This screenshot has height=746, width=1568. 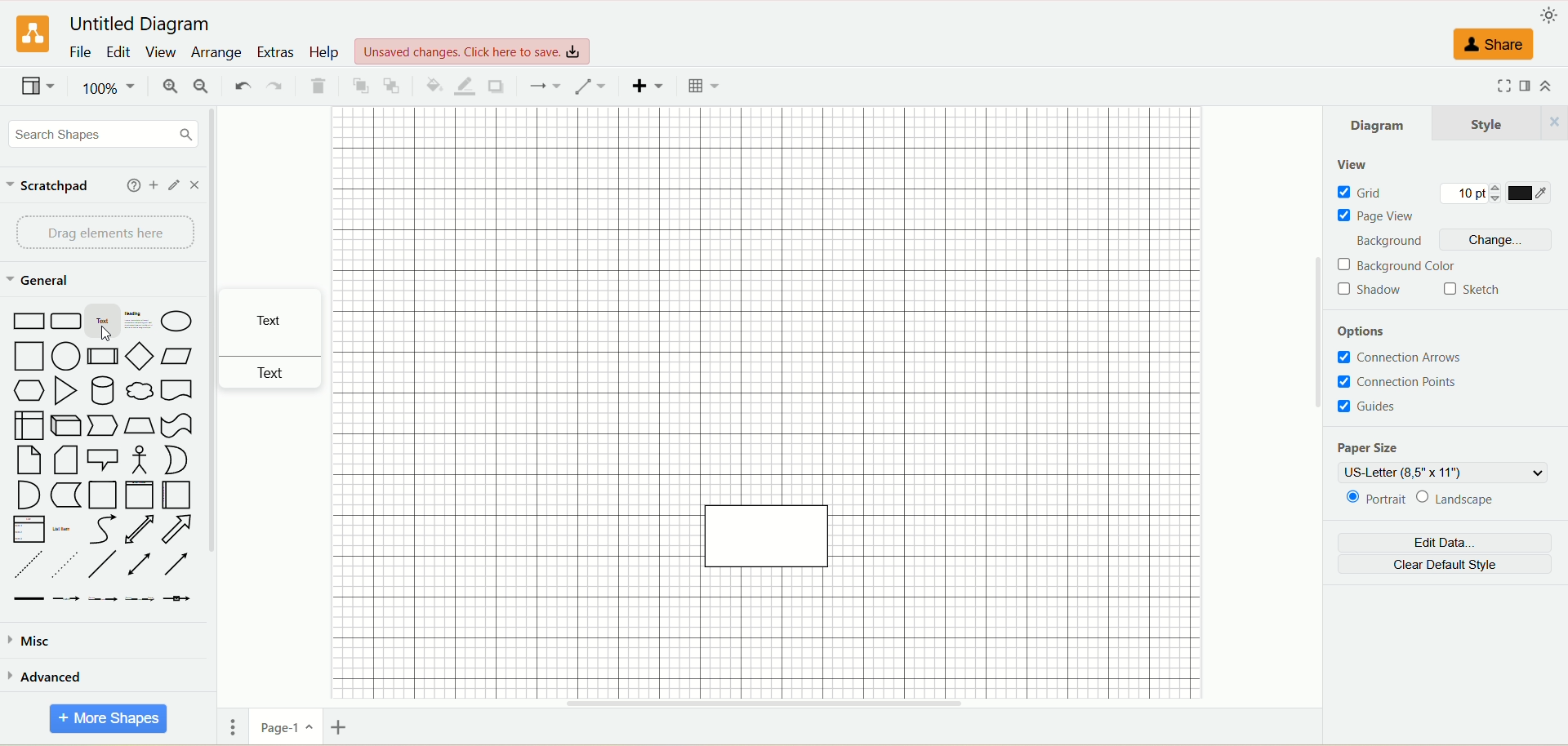 What do you see at coordinates (102, 426) in the screenshot?
I see `step` at bounding box center [102, 426].